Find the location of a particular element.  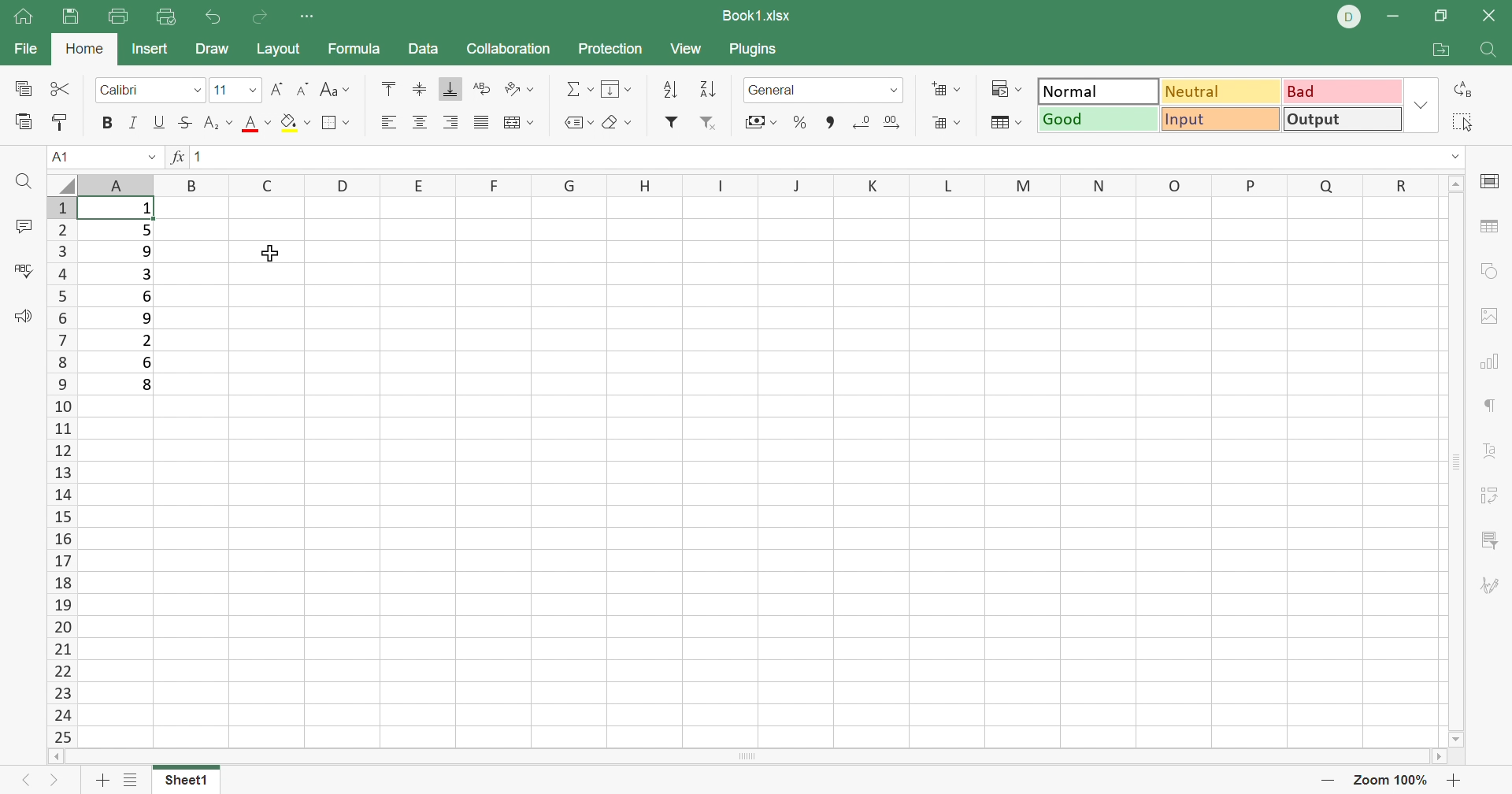

Drop down is located at coordinates (154, 155).